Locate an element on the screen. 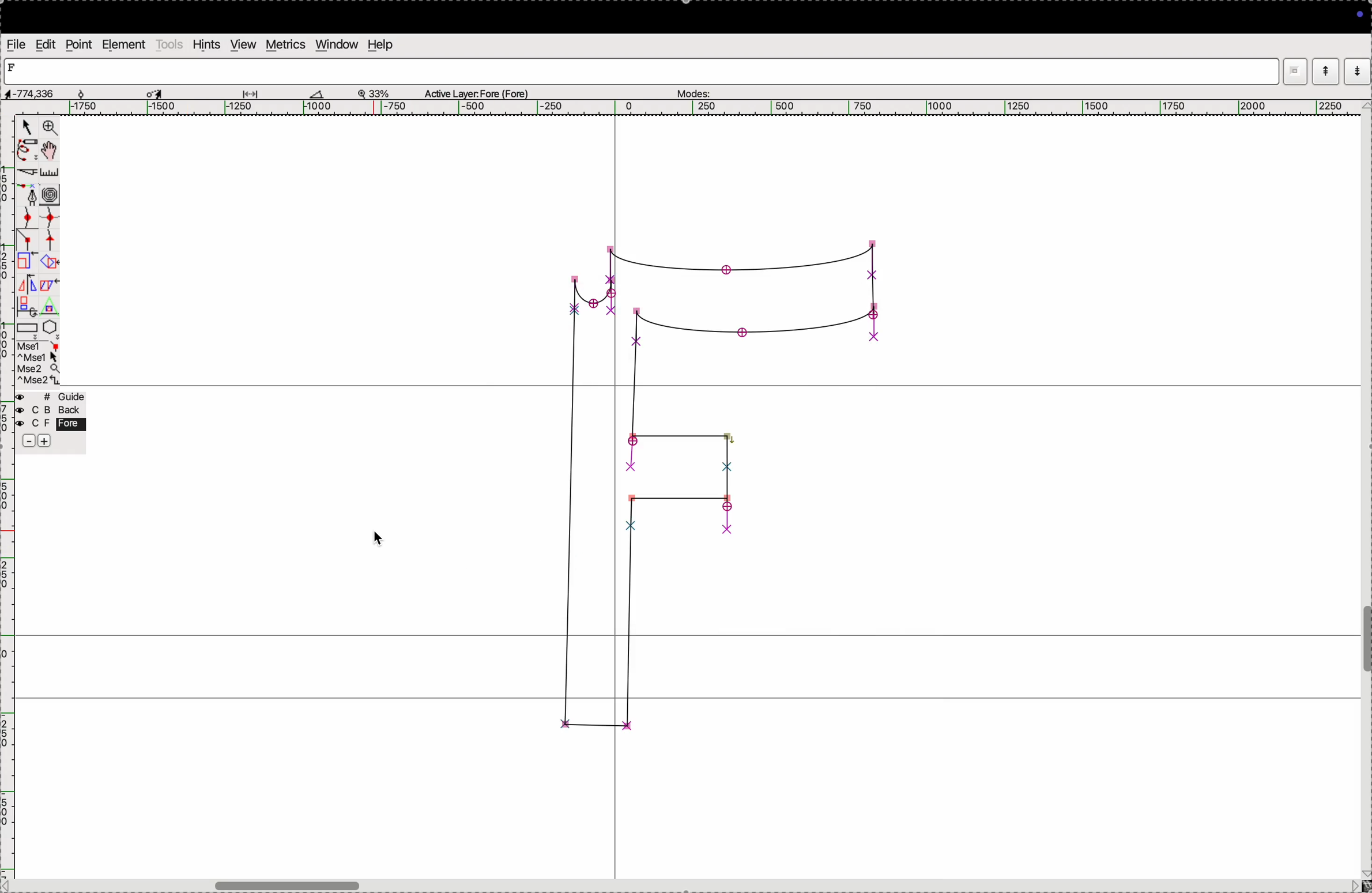 Image resolution: width=1372 pixels, height=893 pixels. pentagon is located at coordinates (50, 327).